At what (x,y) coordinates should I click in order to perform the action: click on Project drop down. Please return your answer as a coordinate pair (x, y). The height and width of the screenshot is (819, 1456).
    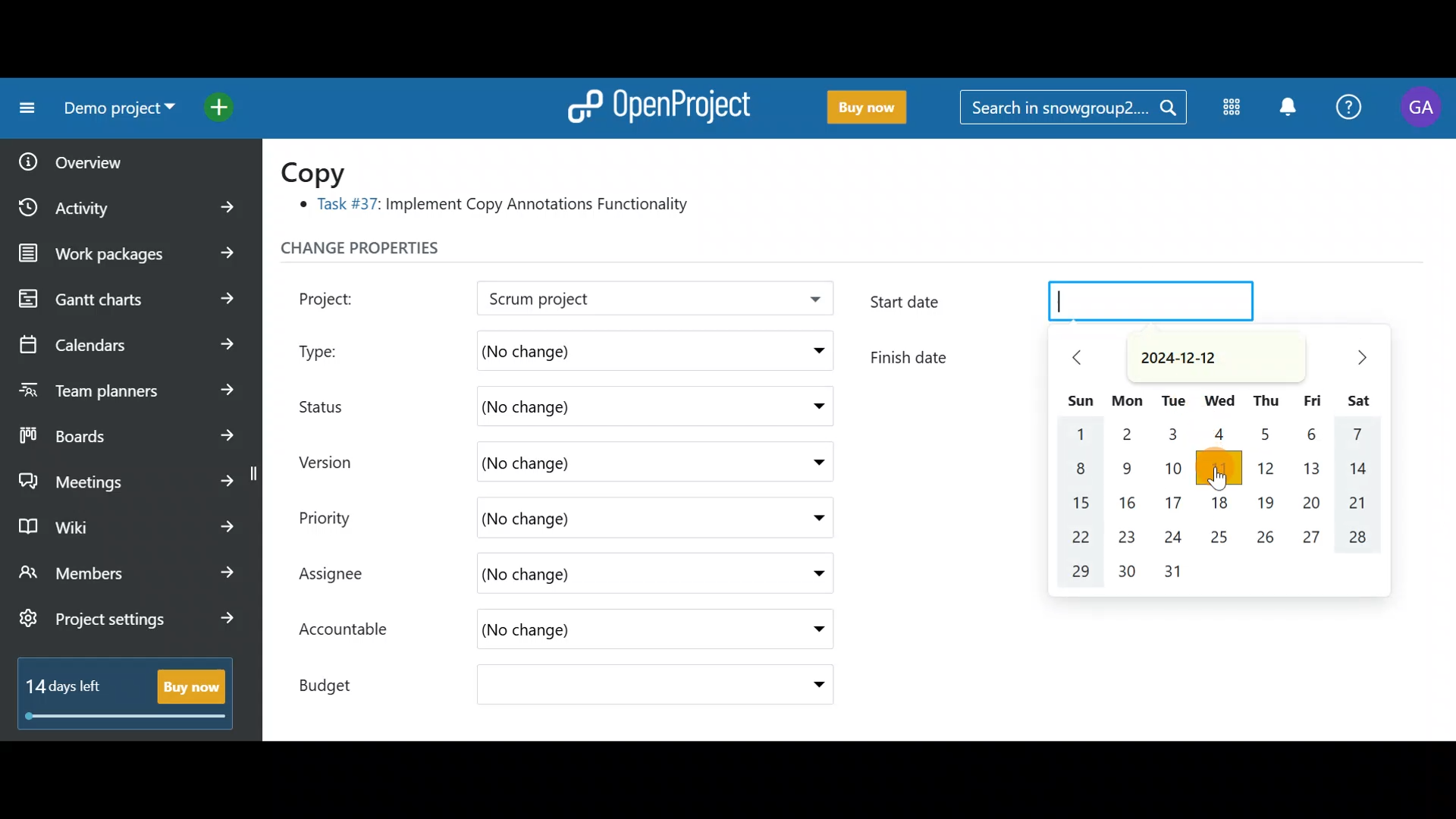
    Looking at the image, I should click on (810, 303).